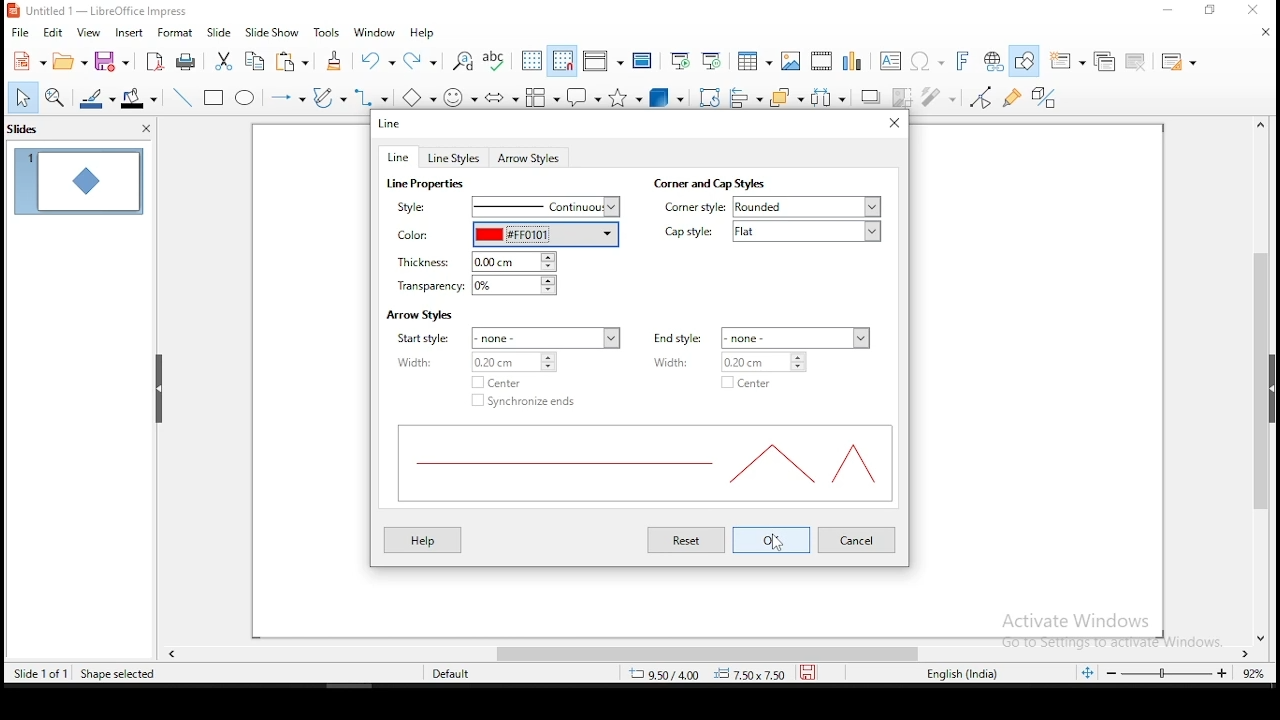 This screenshot has width=1280, height=720. What do you see at coordinates (220, 31) in the screenshot?
I see `slide` at bounding box center [220, 31].